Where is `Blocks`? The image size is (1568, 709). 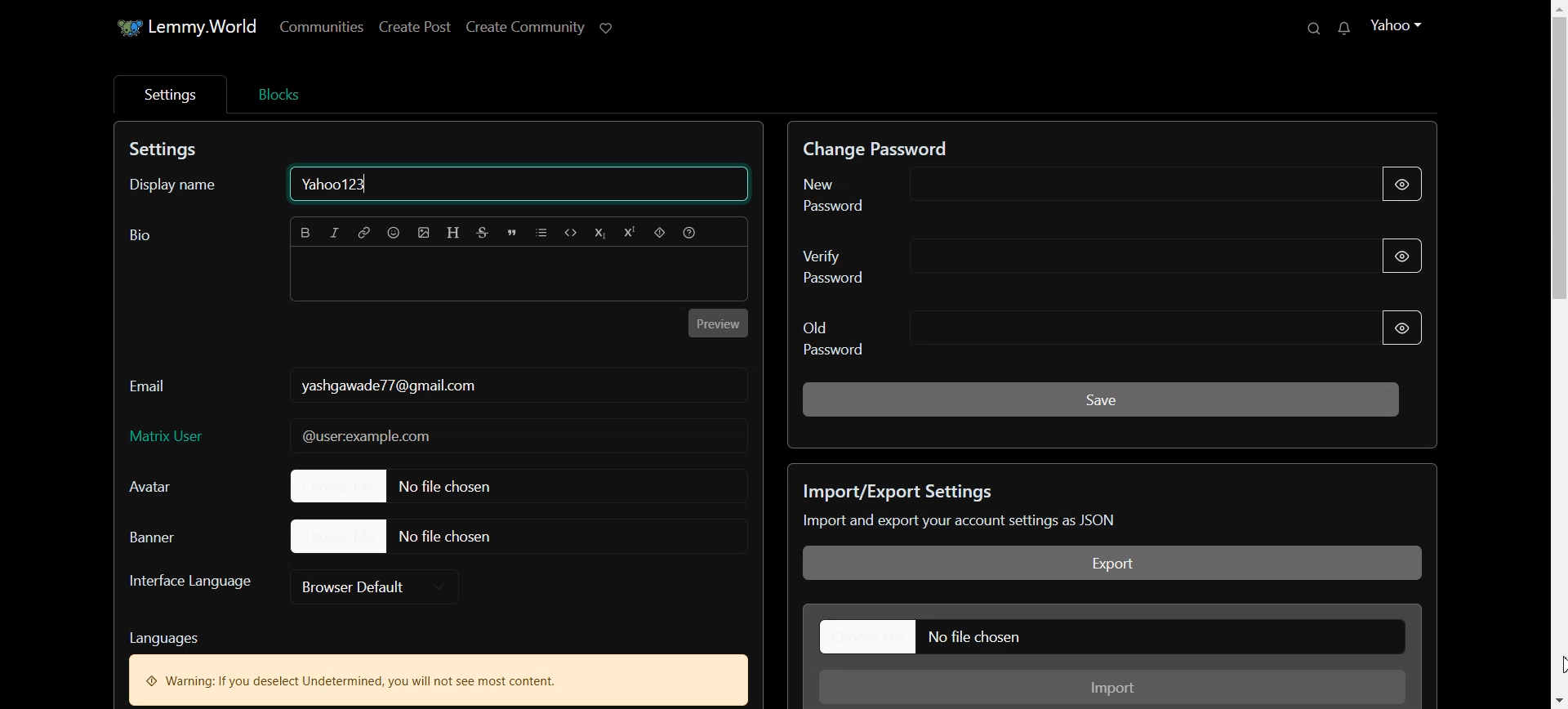
Blocks is located at coordinates (278, 92).